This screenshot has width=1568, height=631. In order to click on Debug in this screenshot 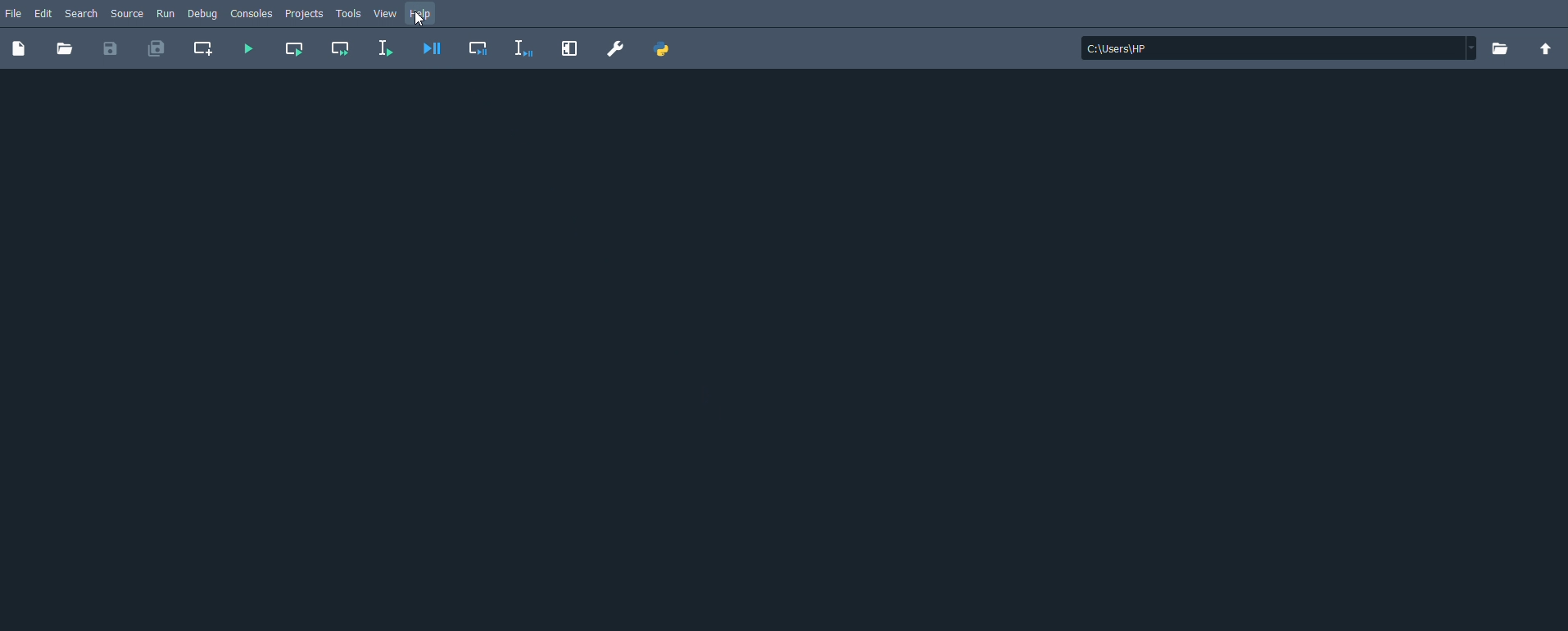, I will do `click(206, 14)`.